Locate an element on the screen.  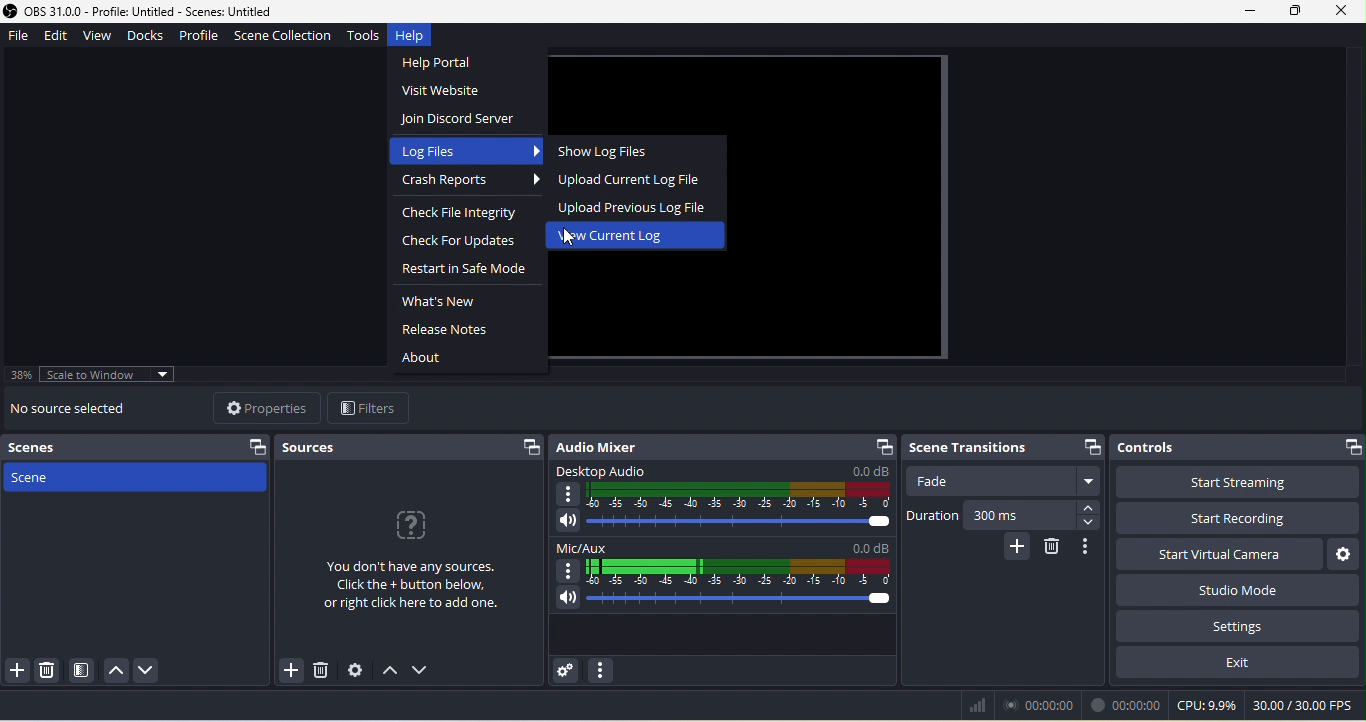
upload current log file is located at coordinates (628, 178).